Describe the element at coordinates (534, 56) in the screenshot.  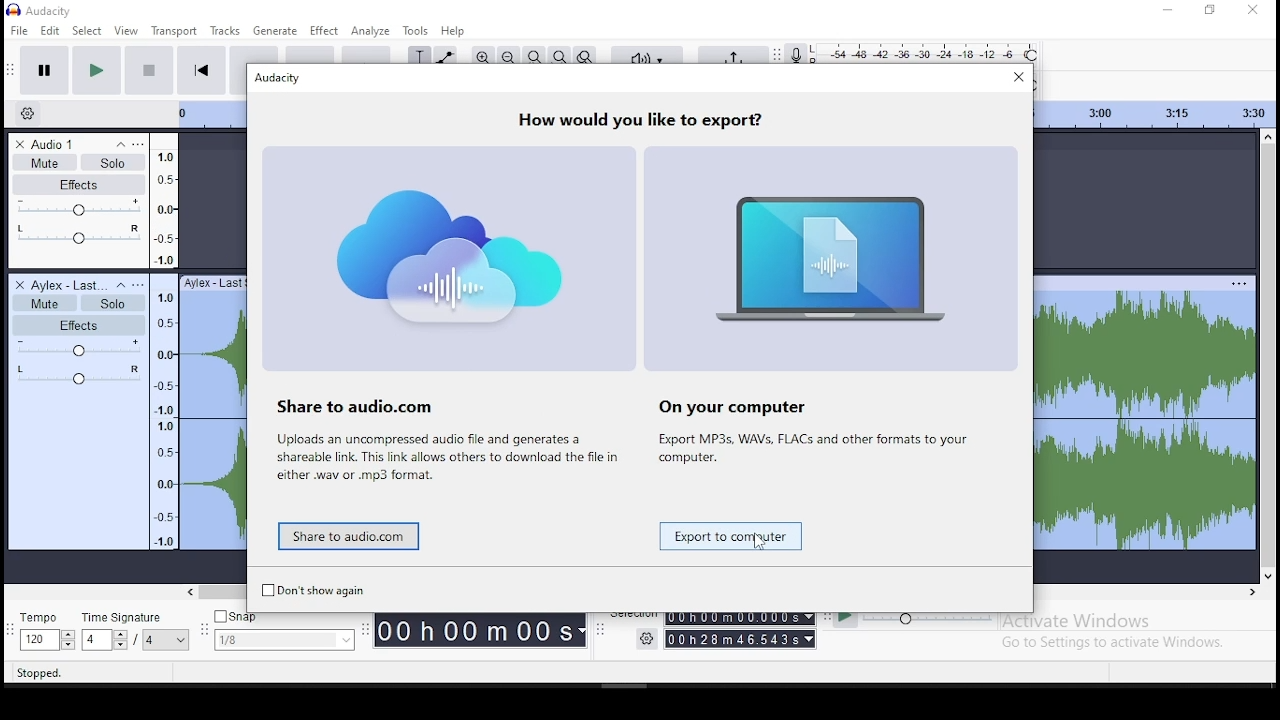
I see `fit selection to width` at that location.